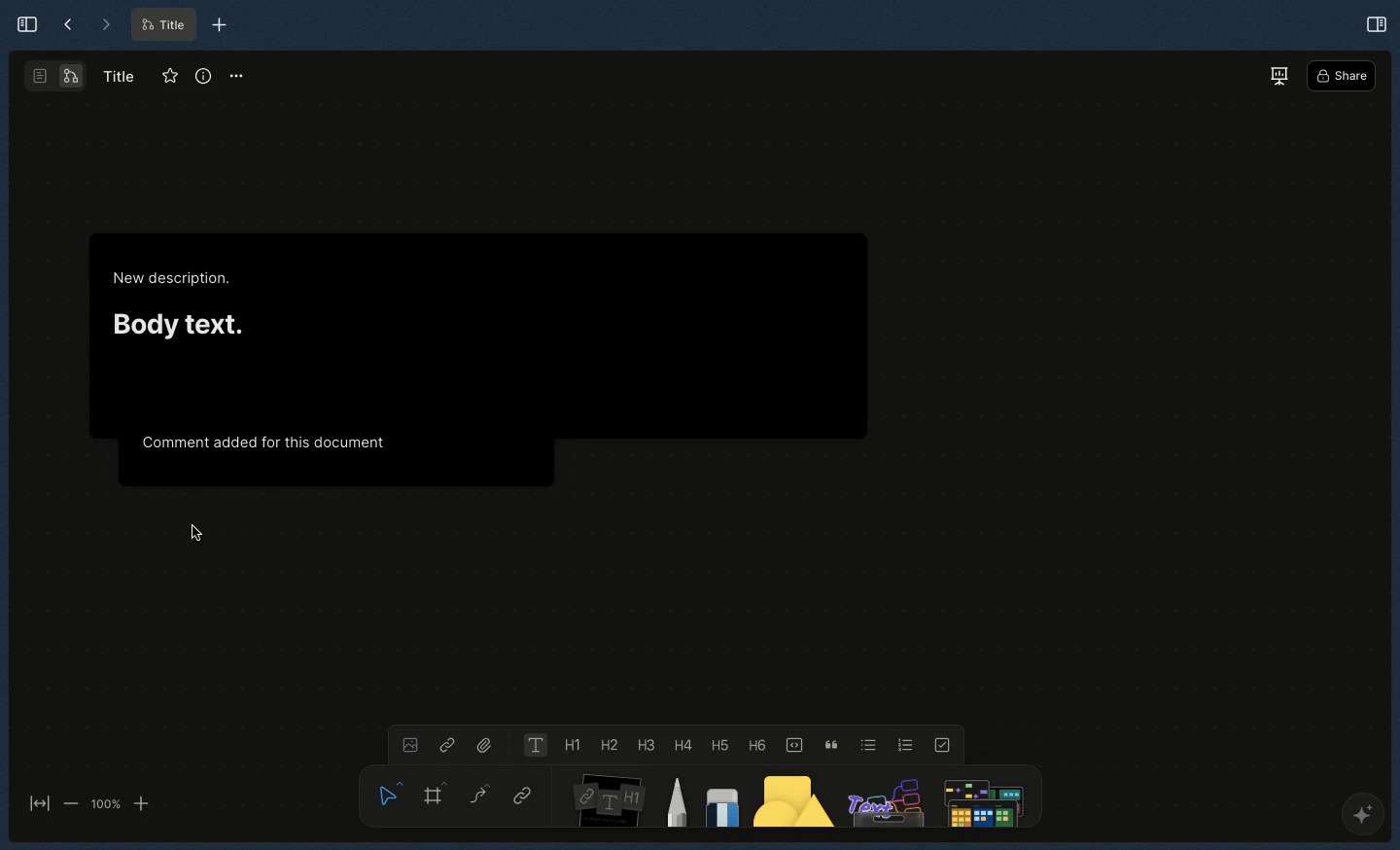 The height and width of the screenshot is (850, 1400). I want to click on Bulleted list, so click(865, 744).